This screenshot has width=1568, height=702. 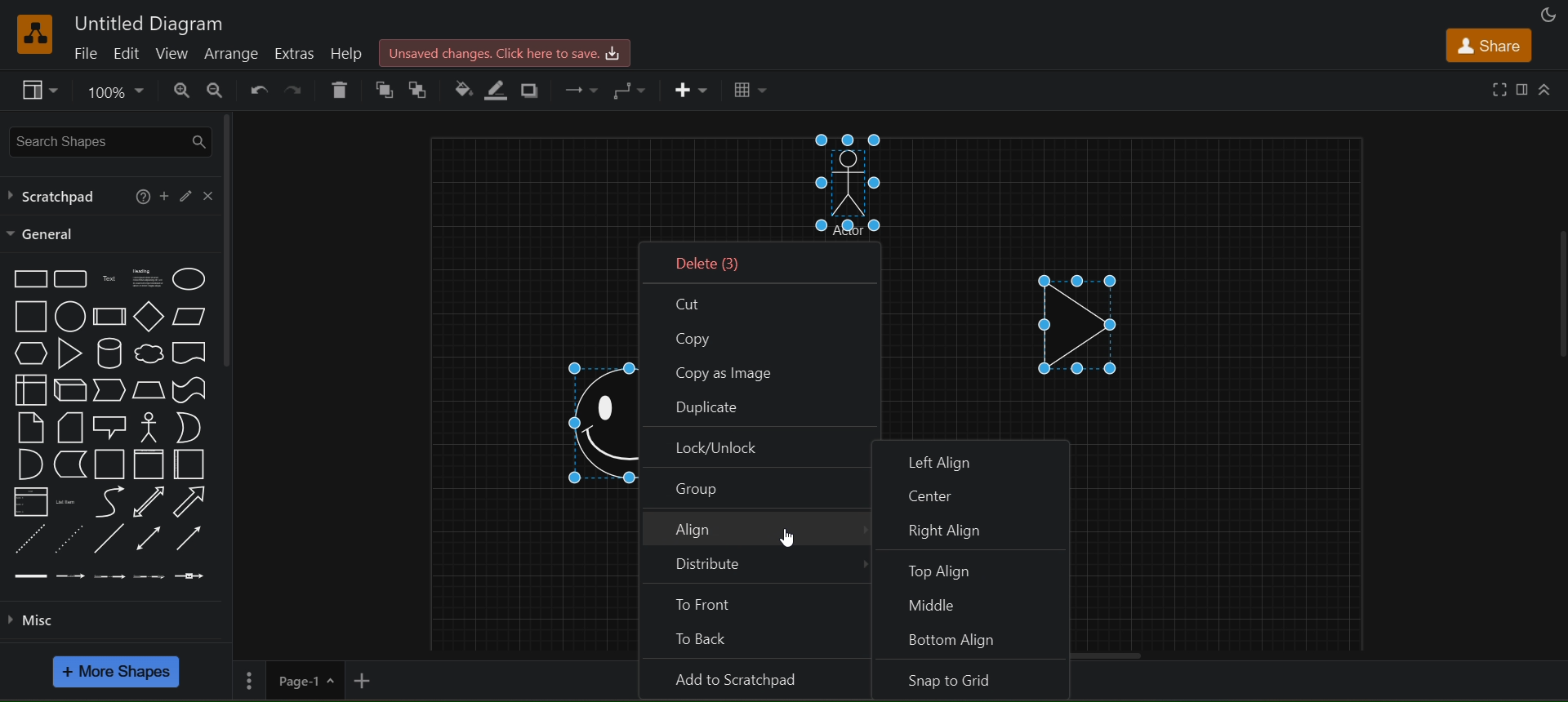 I want to click on dotted line, so click(x=69, y=540).